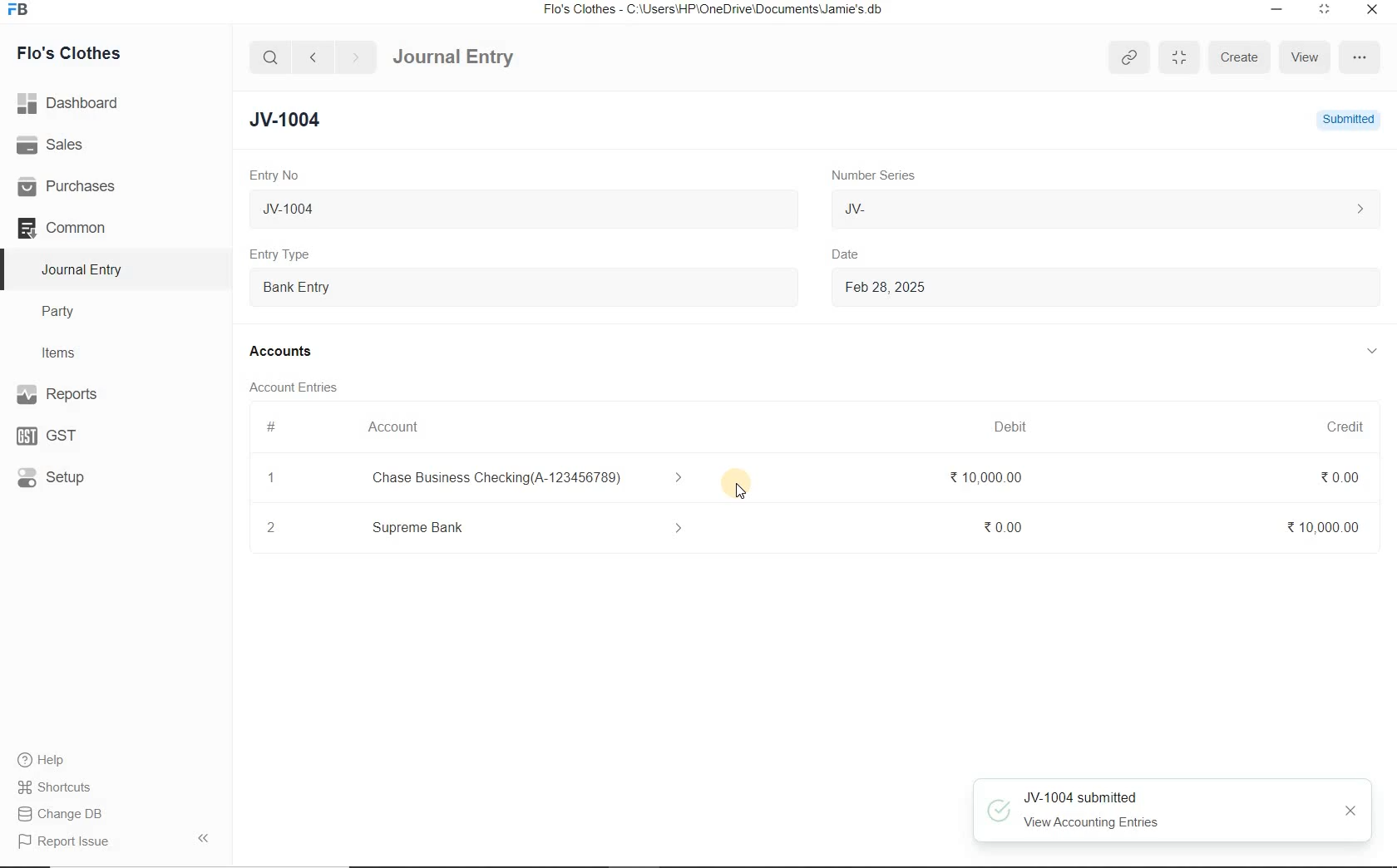 This screenshot has height=868, width=1397. I want to click on collapse, so click(203, 839).